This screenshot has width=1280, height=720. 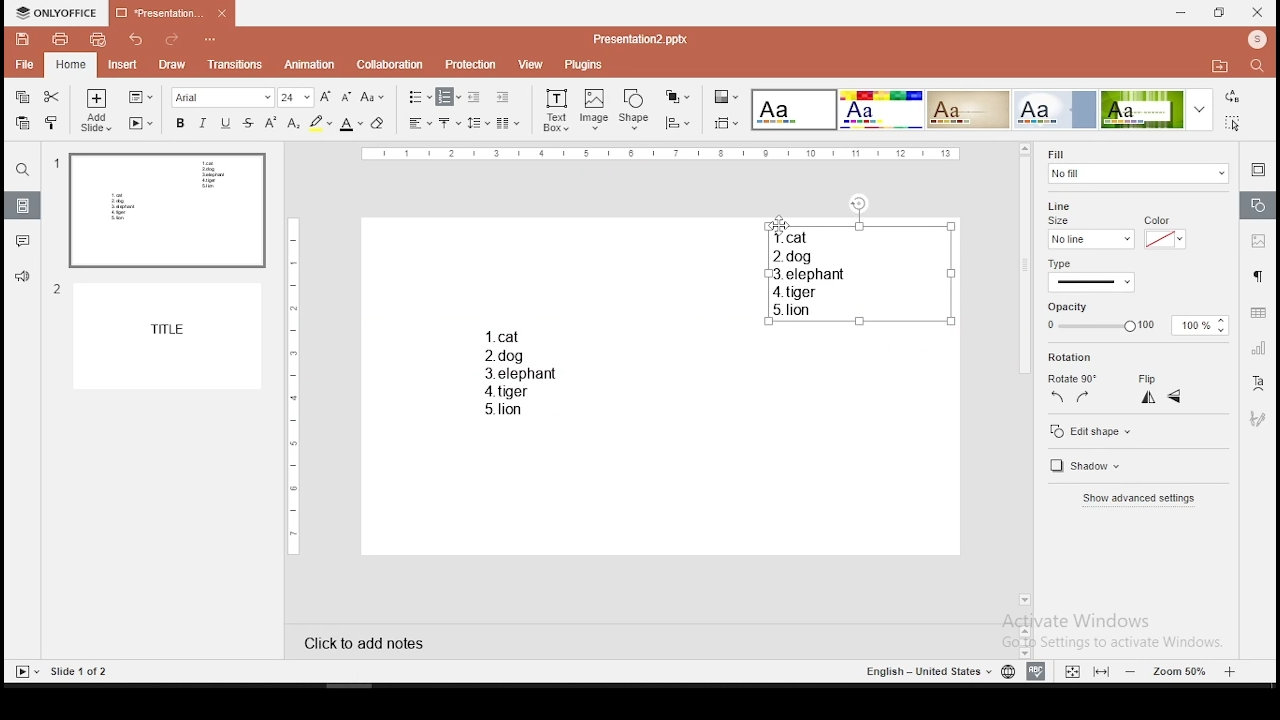 What do you see at coordinates (555, 111) in the screenshot?
I see `text box` at bounding box center [555, 111].